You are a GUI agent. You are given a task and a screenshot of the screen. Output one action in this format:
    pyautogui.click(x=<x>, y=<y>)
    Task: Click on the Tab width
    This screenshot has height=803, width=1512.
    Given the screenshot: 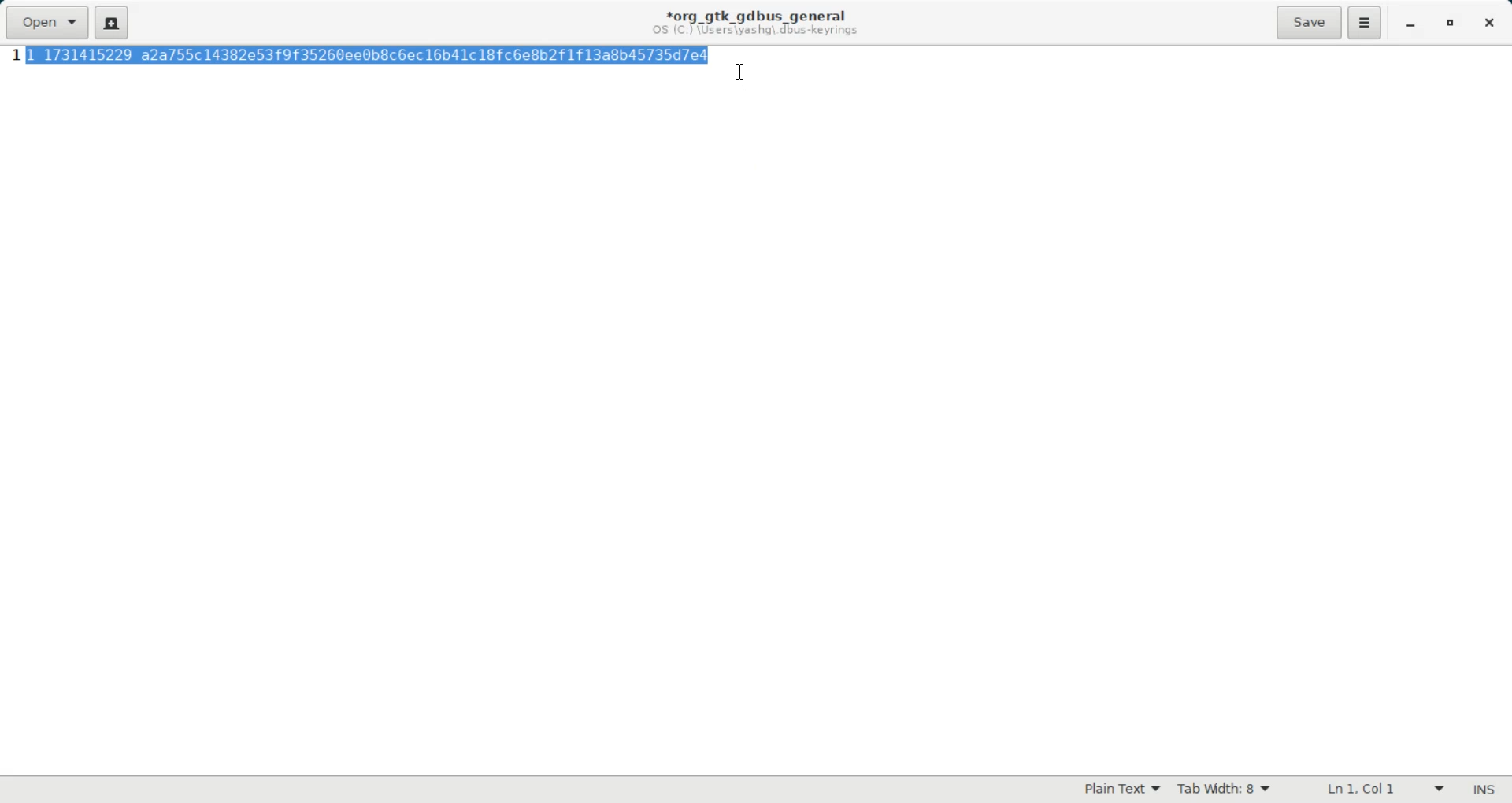 What is the action you would take?
    pyautogui.click(x=1225, y=790)
    